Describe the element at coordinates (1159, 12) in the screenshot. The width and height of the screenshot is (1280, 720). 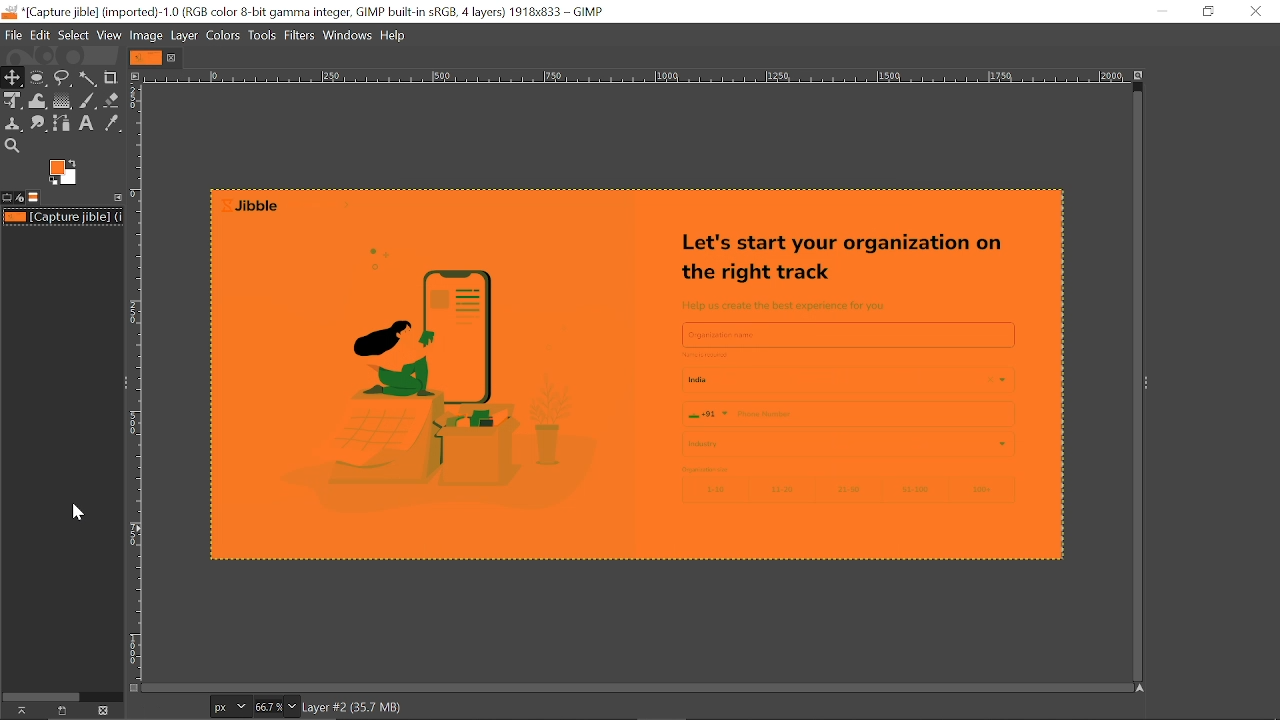
I see `Minimize` at that location.